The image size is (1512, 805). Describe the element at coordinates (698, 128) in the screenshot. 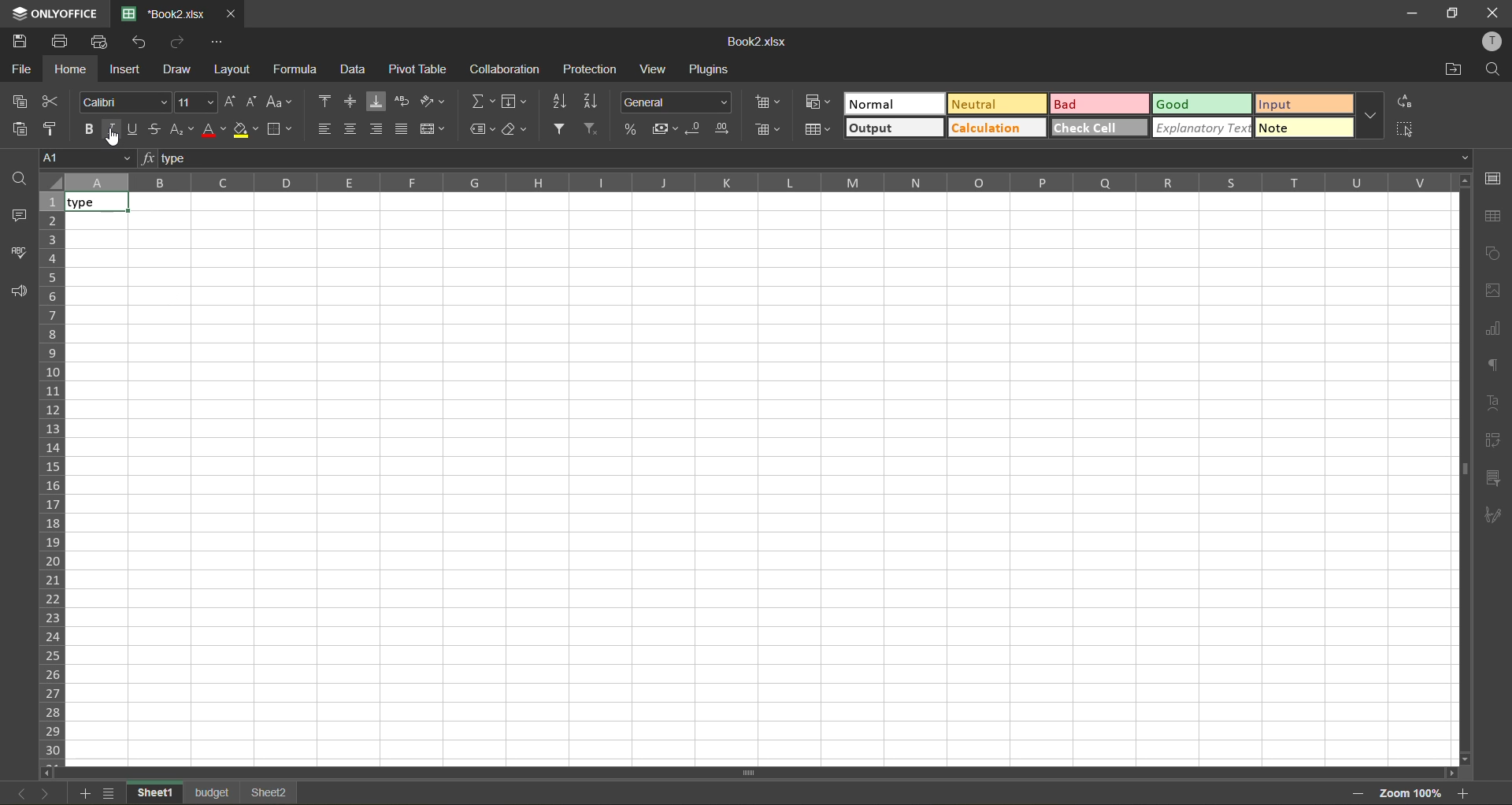

I see `decrease decimal` at that location.